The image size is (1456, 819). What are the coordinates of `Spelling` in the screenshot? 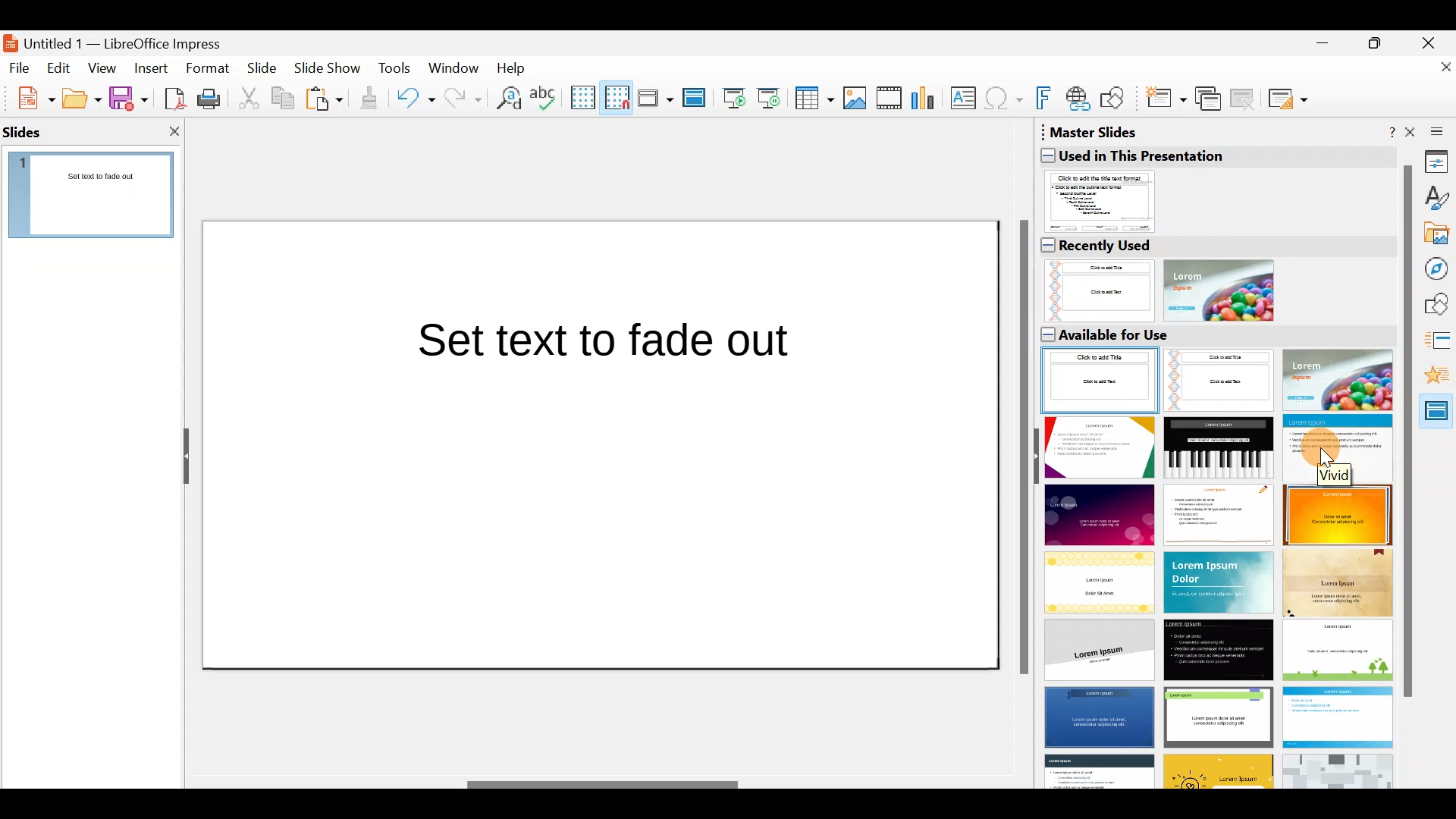 It's located at (545, 97).